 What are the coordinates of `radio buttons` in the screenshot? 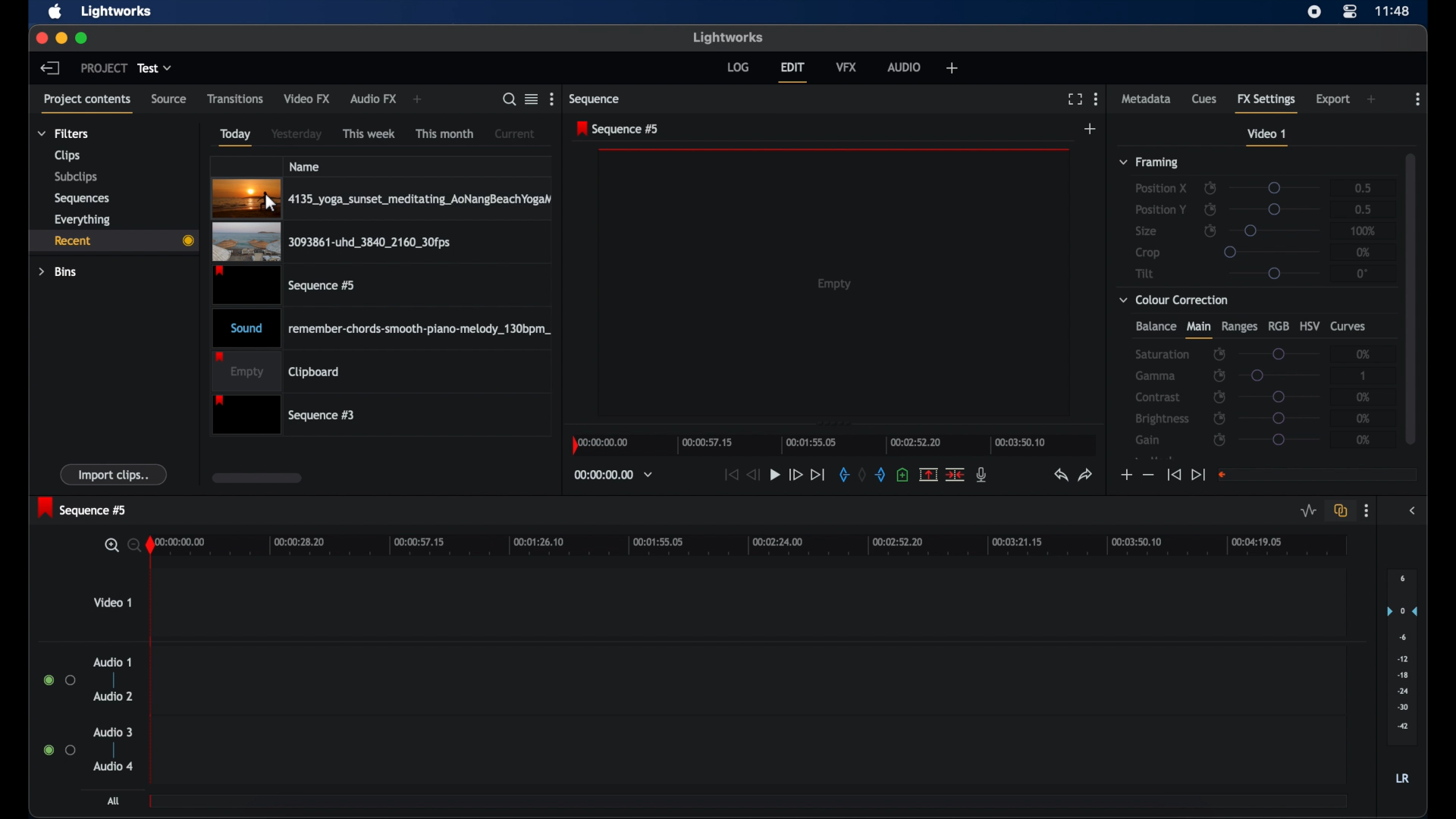 It's located at (59, 750).